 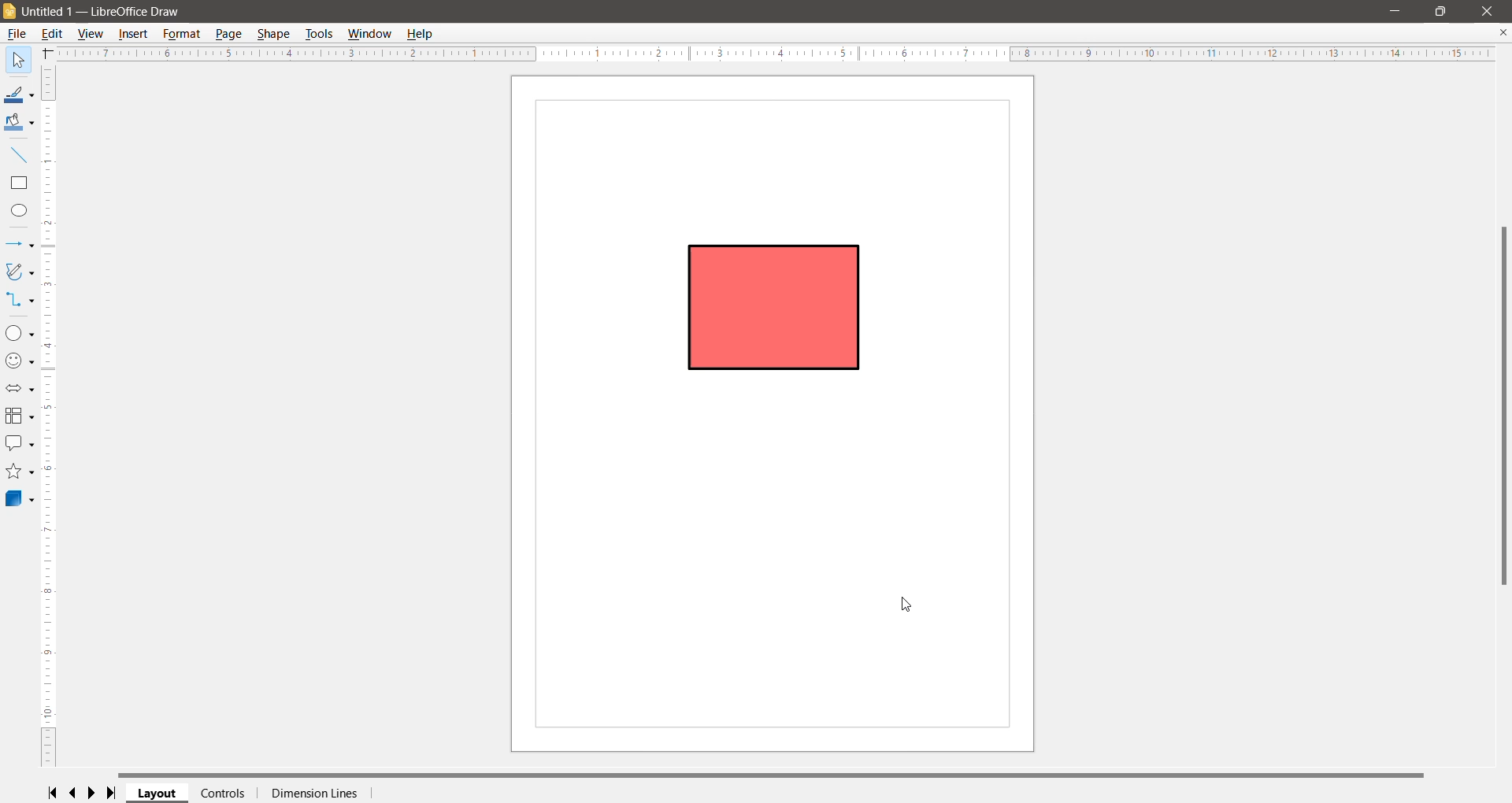 What do you see at coordinates (421, 33) in the screenshot?
I see `Help` at bounding box center [421, 33].